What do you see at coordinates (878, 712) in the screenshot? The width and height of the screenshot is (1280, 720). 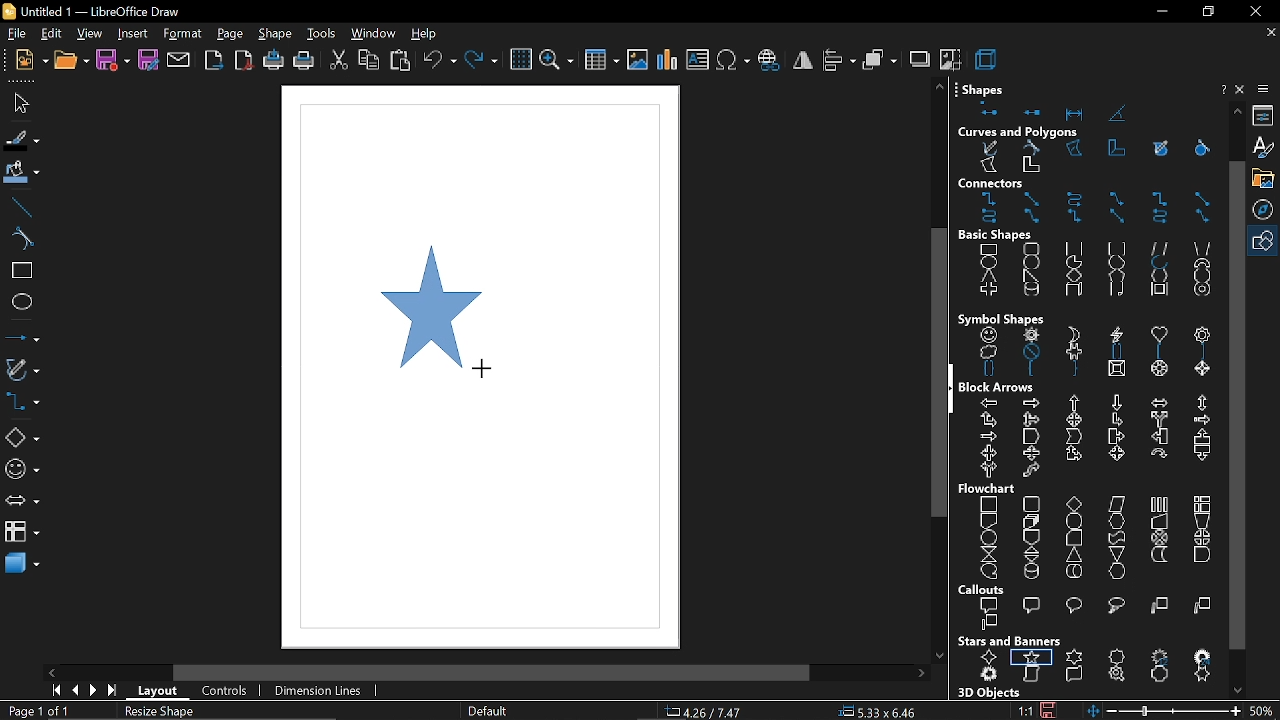 I see `position` at bounding box center [878, 712].